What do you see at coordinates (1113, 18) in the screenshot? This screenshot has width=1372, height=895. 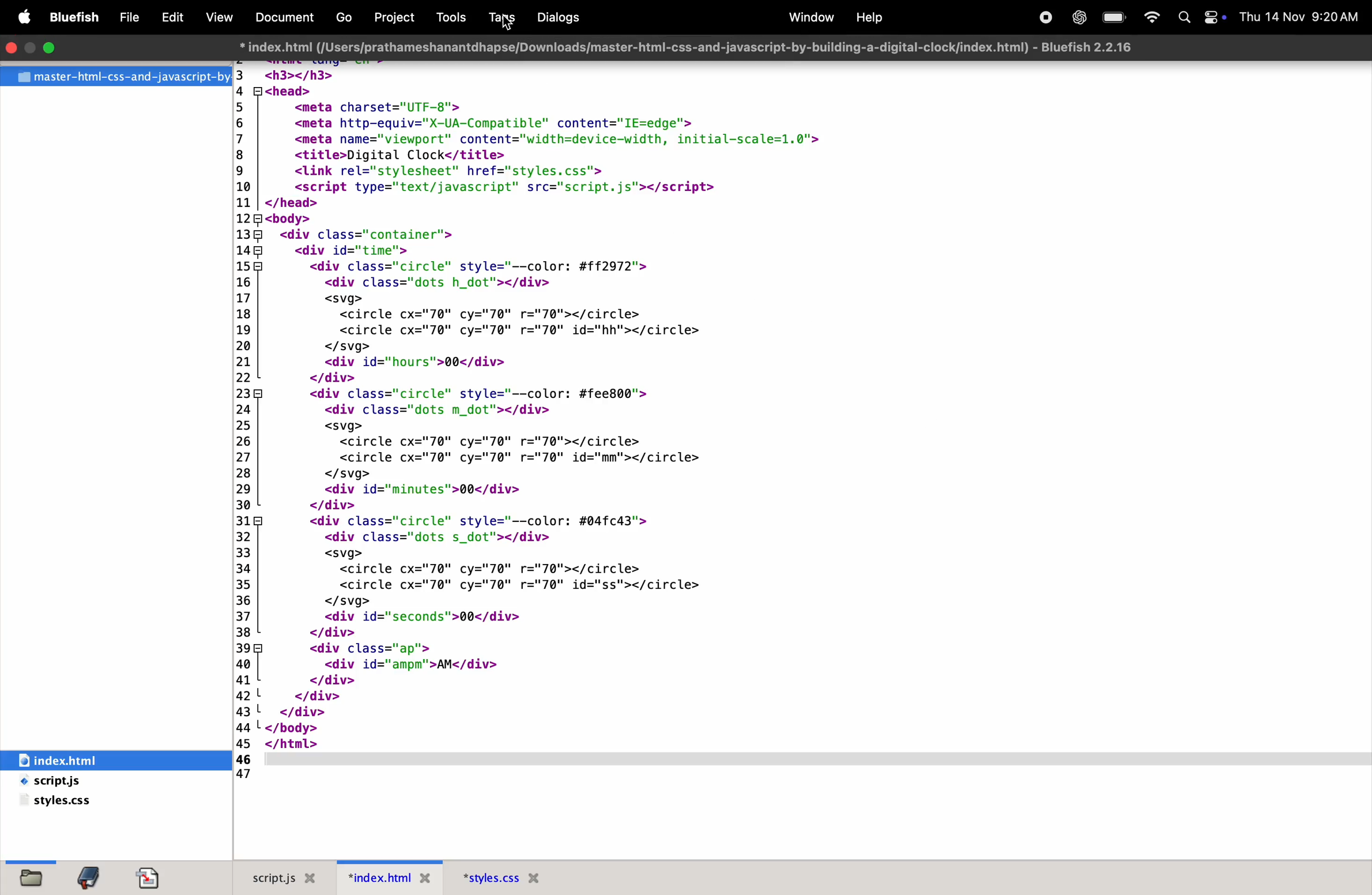 I see `battery` at bounding box center [1113, 18].